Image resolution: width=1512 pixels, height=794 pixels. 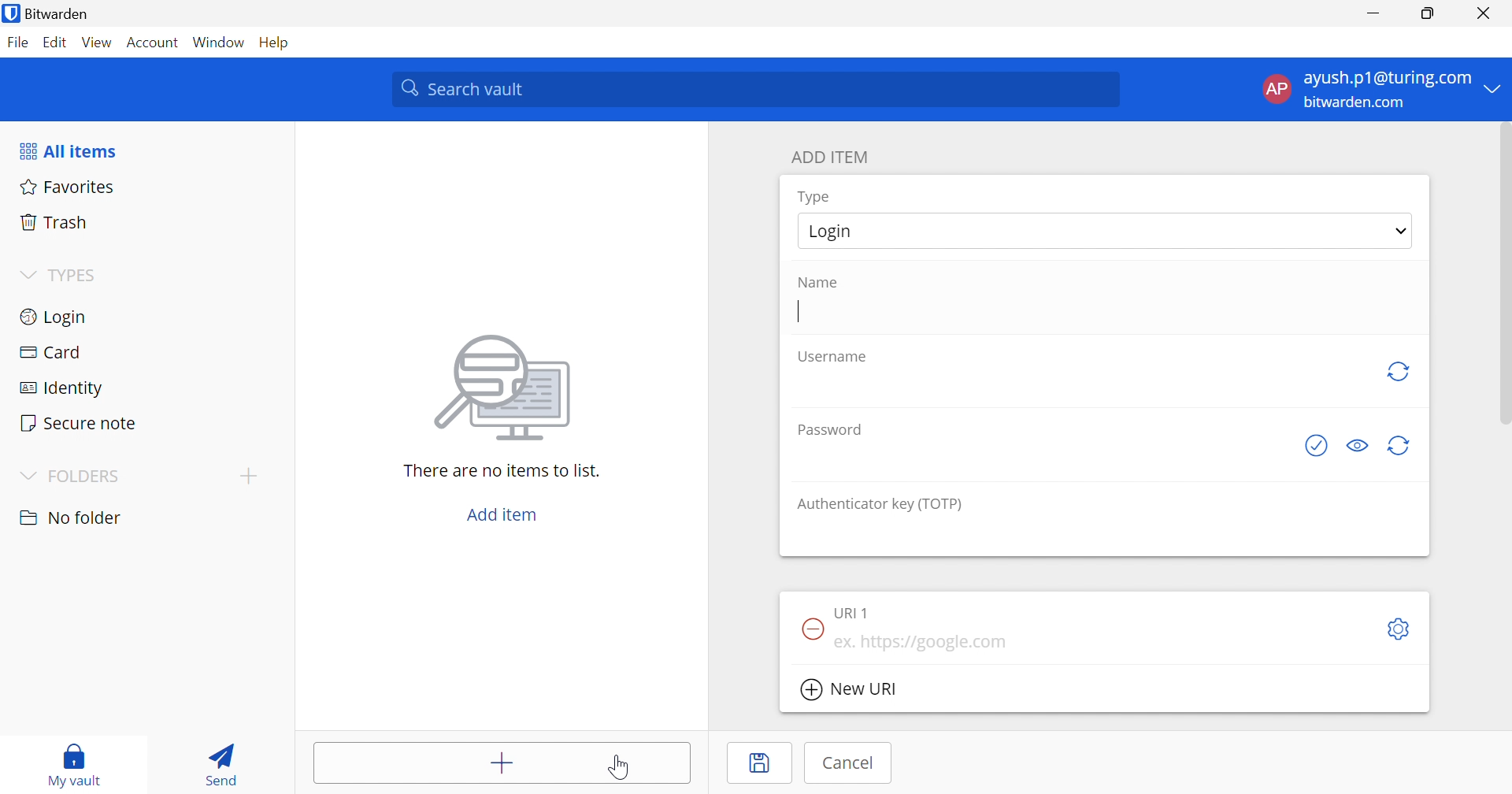 What do you see at coordinates (1487, 13) in the screenshot?
I see `Close` at bounding box center [1487, 13].